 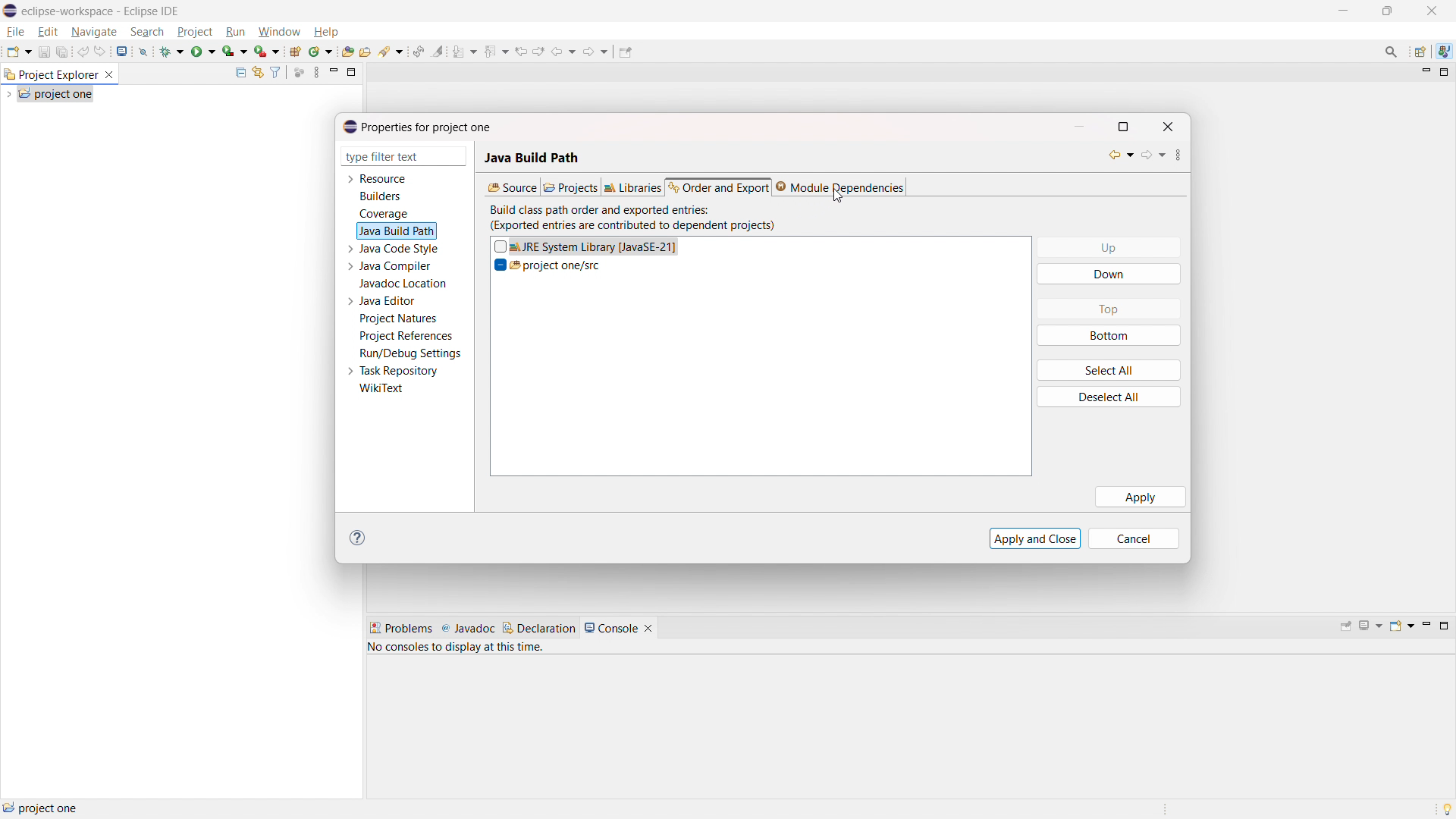 What do you see at coordinates (511, 187) in the screenshot?
I see `source` at bounding box center [511, 187].